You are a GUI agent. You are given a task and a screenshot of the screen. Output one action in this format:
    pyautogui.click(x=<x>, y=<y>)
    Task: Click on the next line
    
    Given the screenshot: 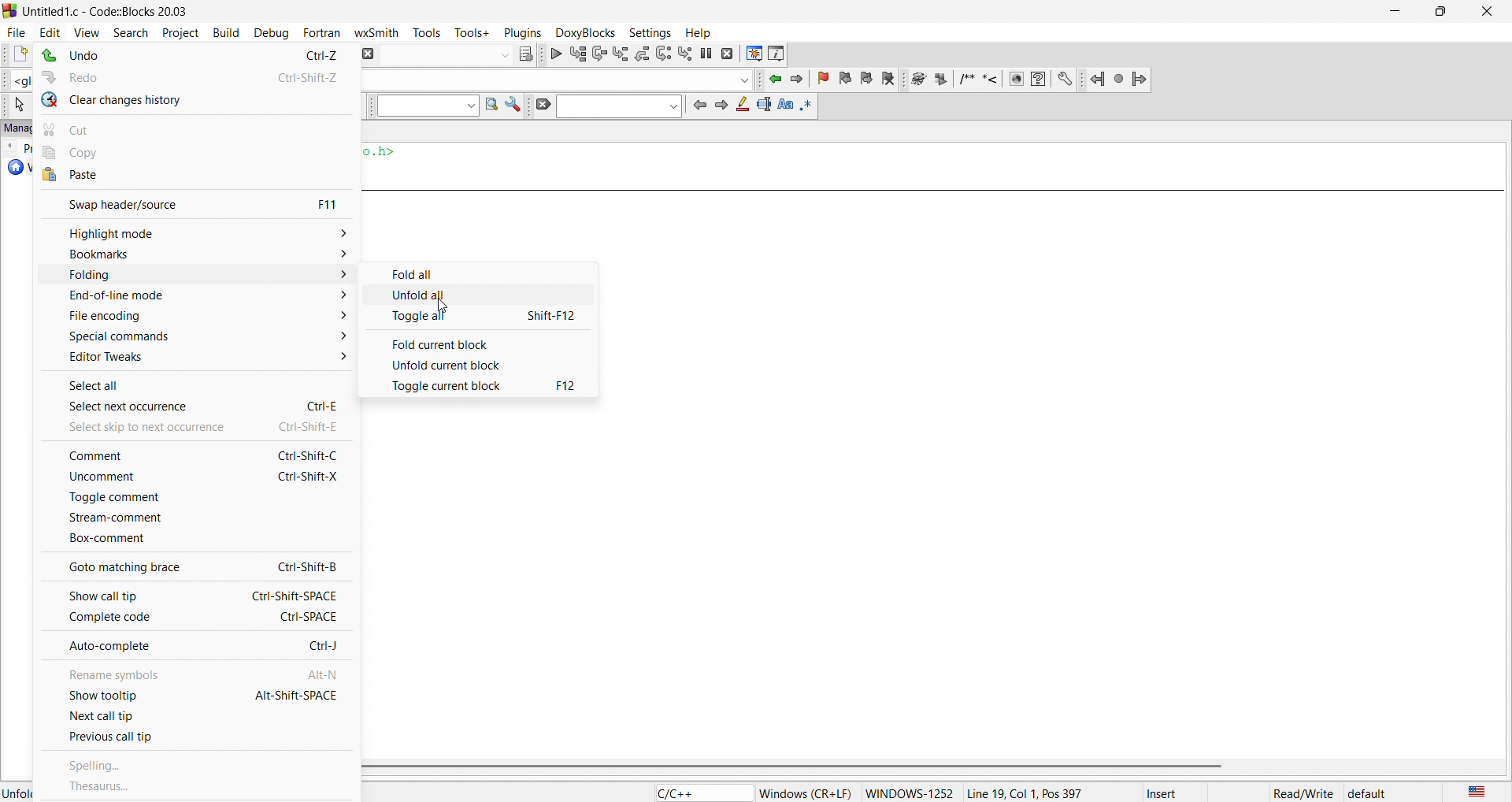 What is the action you would take?
    pyautogui.click(x=598, y=55)
    